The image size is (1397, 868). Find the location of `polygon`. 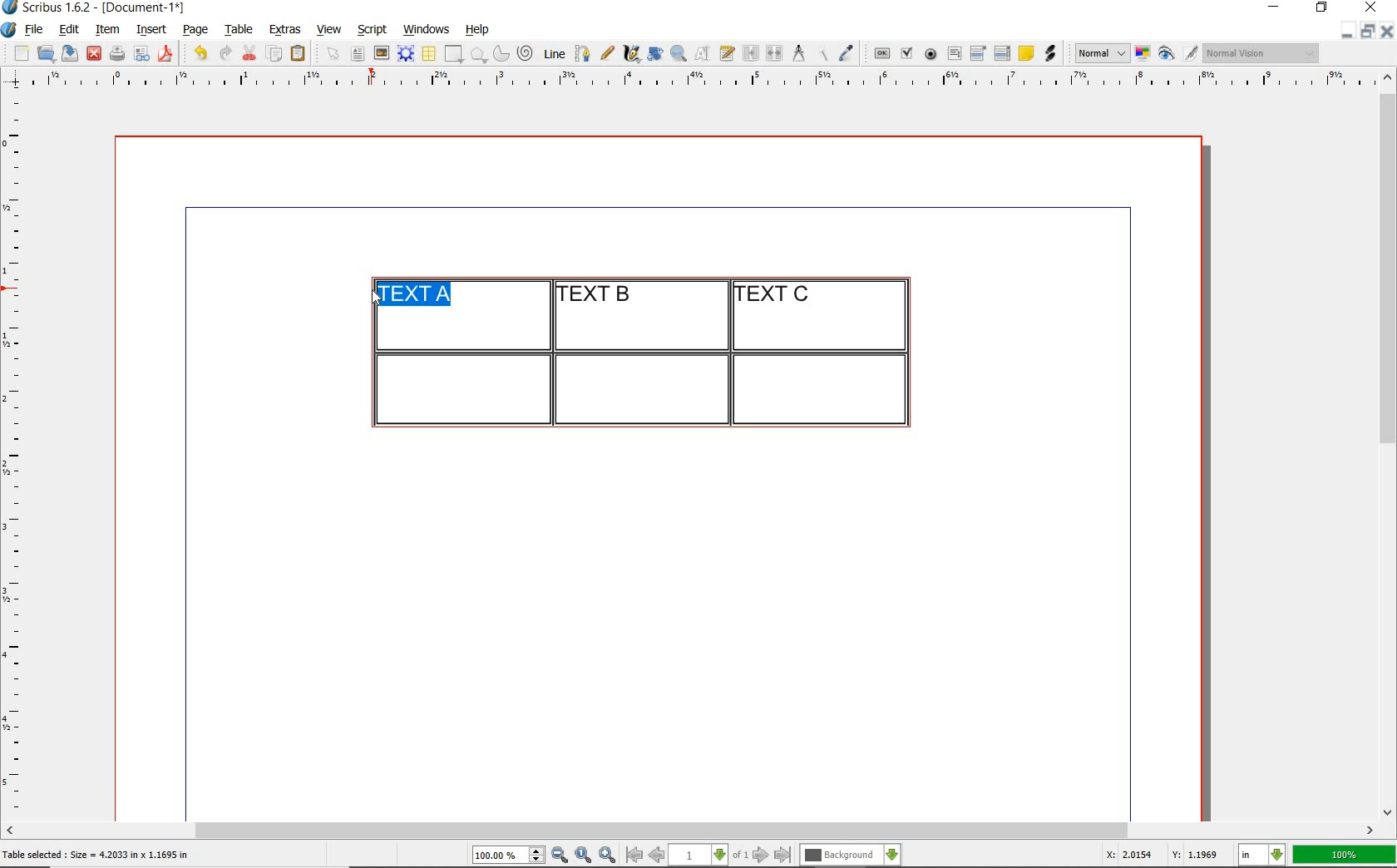

polygon is located at coordinates (478, 54).